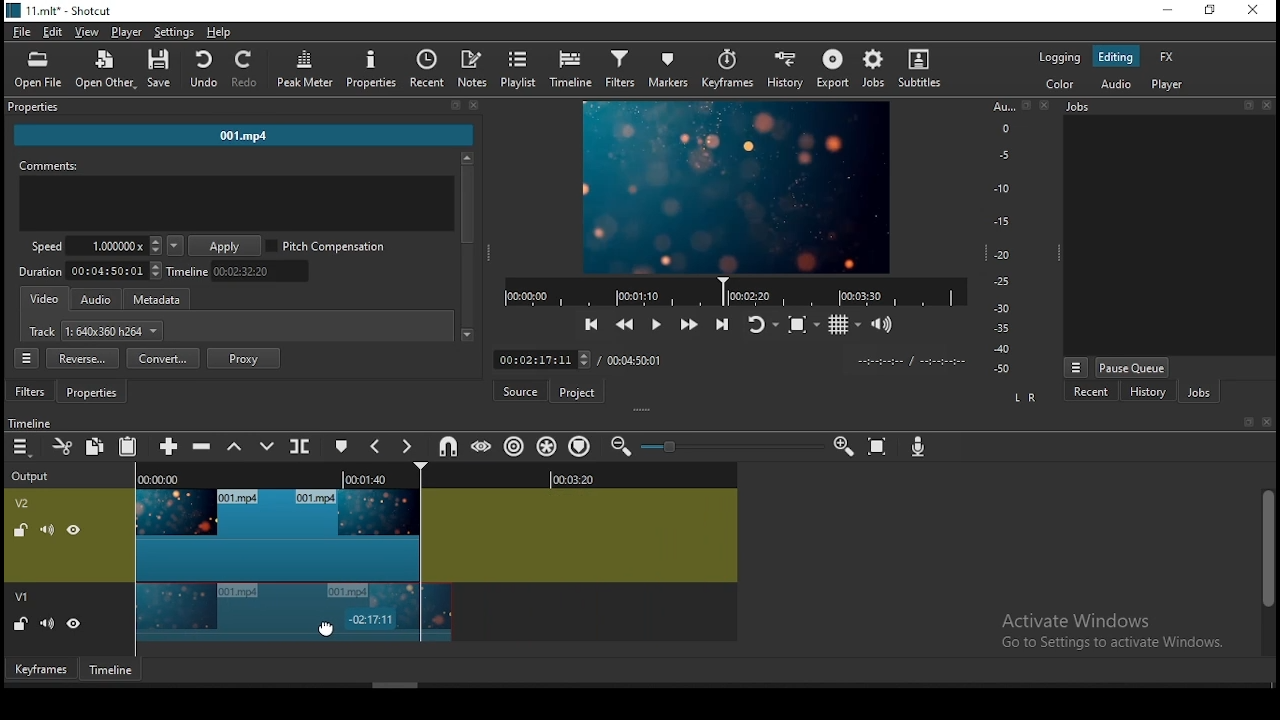 The image size is (1280, 720). I want to click on editing, so click(1115, 57).